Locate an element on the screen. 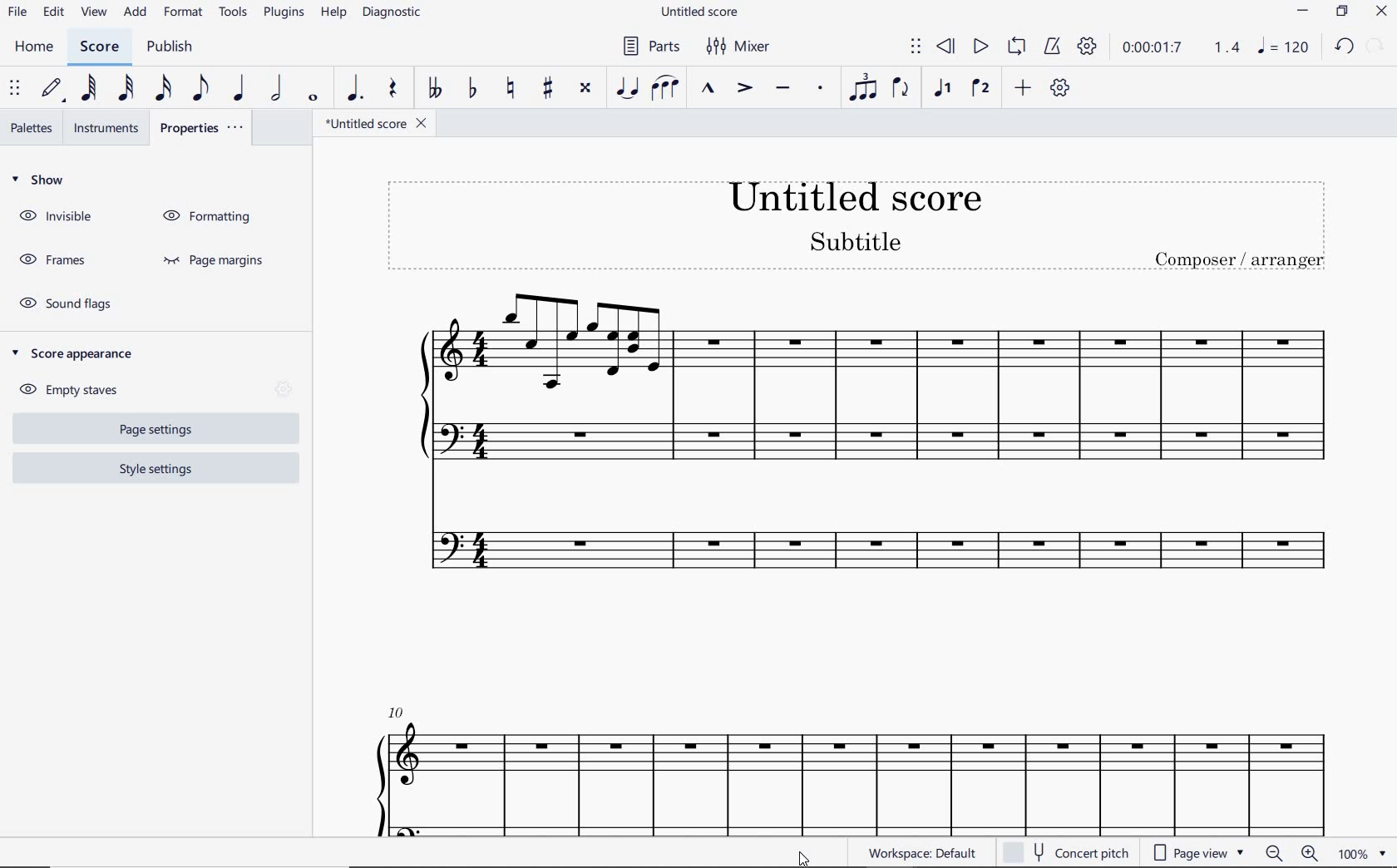 This screenshot has width=1397, height=868. PLAYBACK SETTINGS is located at coordinates (1086, 45).